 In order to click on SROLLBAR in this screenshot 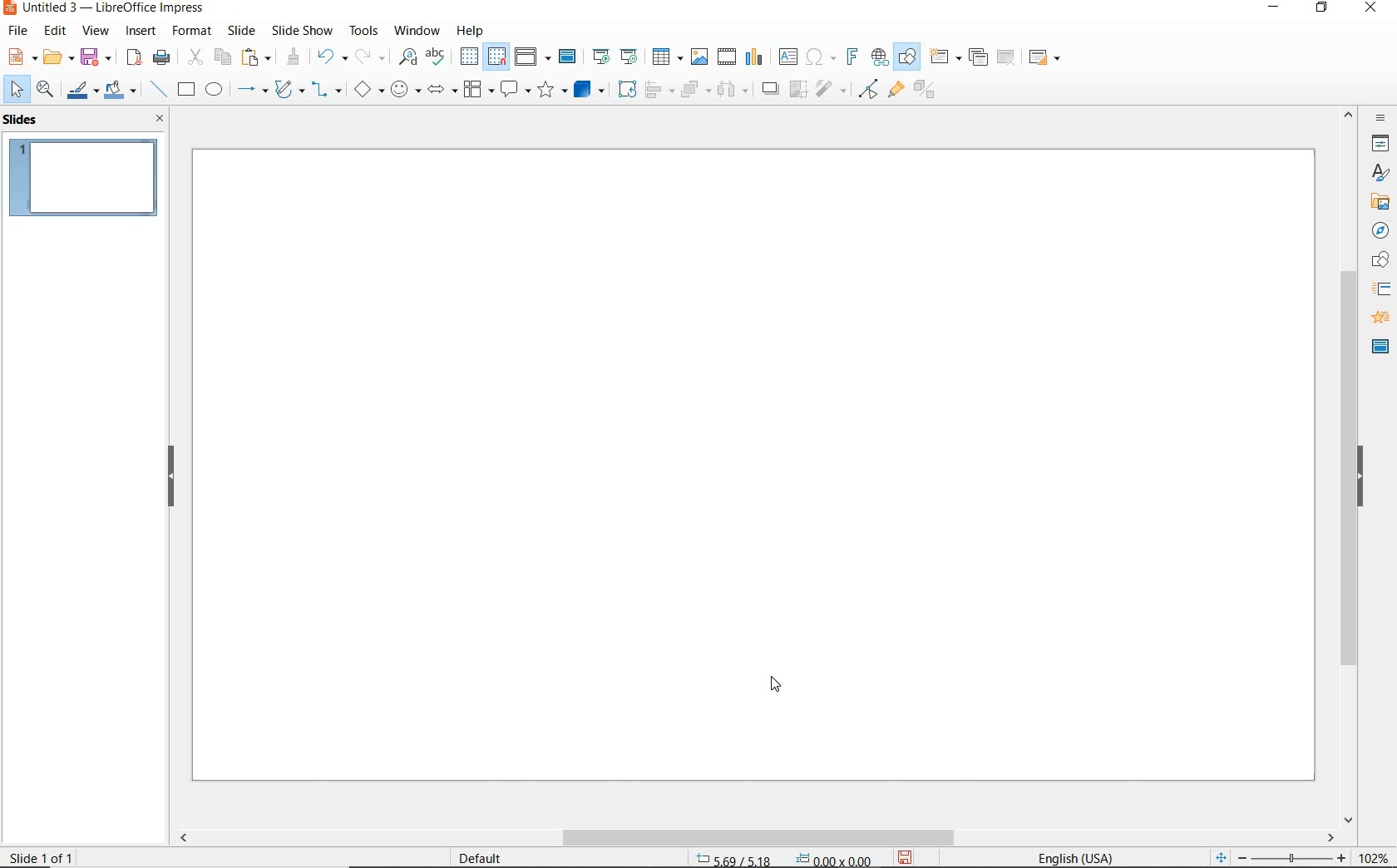, I will do `click(1349, 468)`.